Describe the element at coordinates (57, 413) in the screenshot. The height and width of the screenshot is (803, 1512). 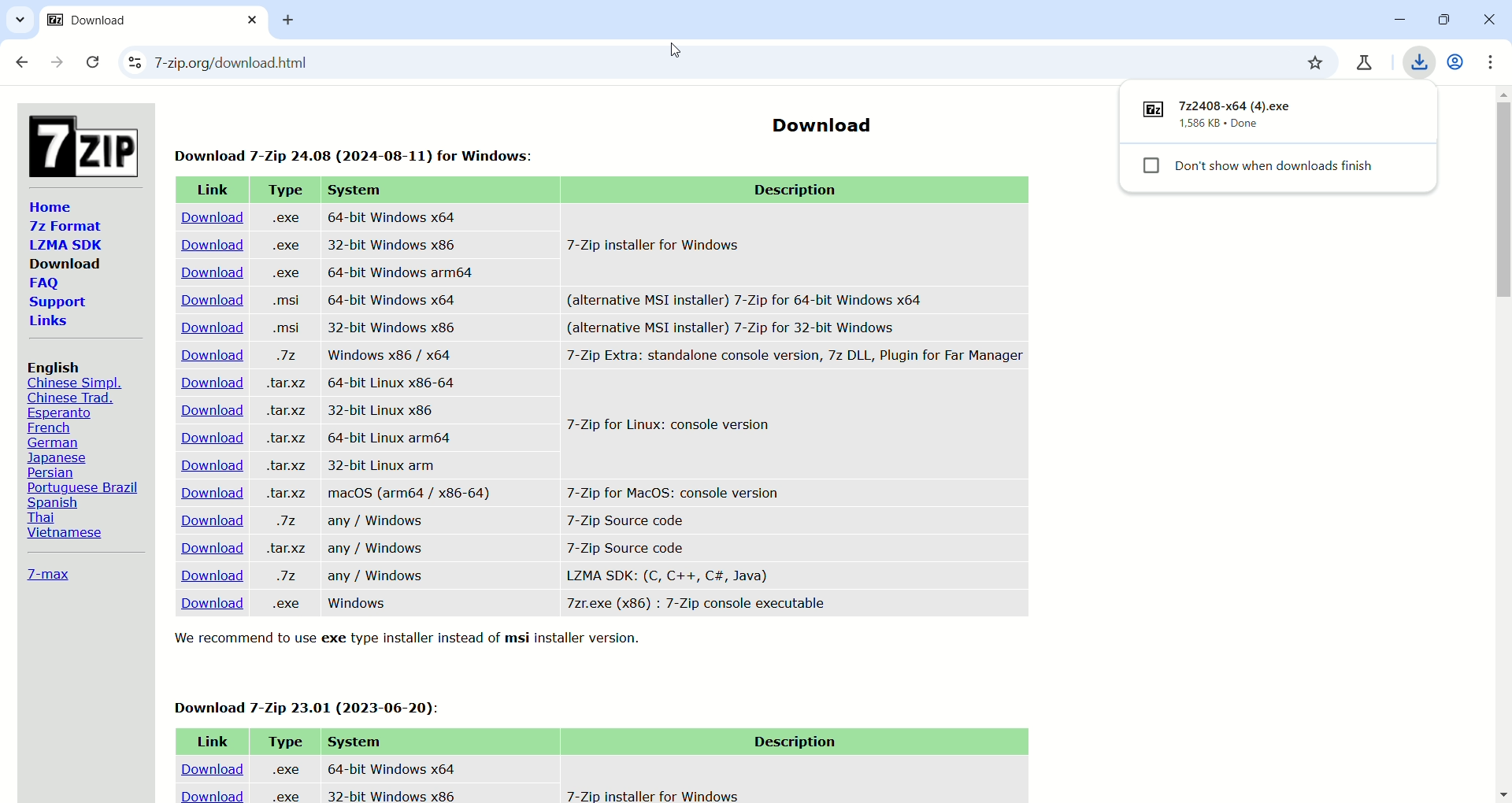
I see `Esperanto` at that location.